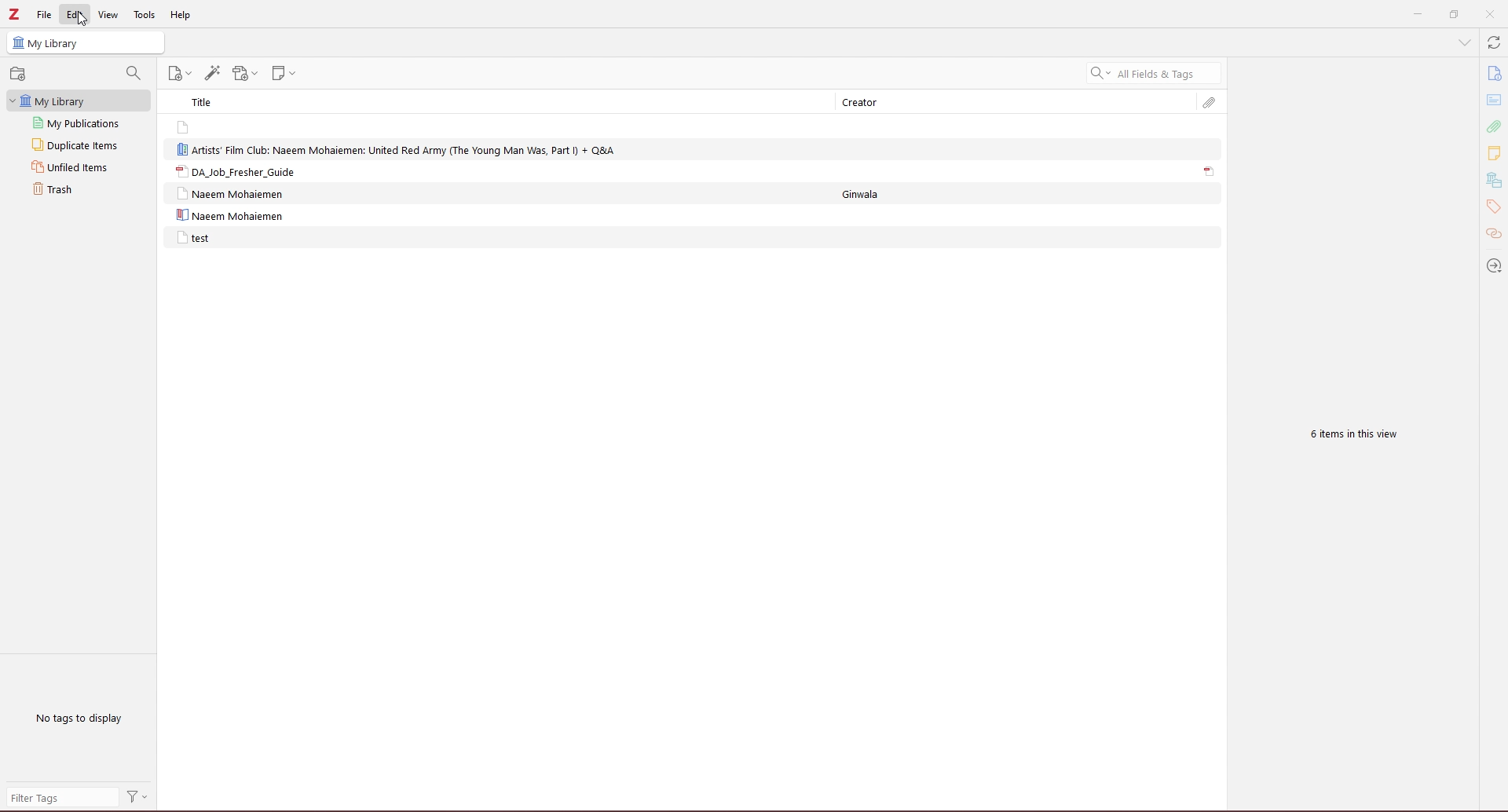 This screenshot has width=1508, height=812. Describe the element at coordinates (235, 194) in the screenshot. I see `Naeem Mohaiemen` at that location.